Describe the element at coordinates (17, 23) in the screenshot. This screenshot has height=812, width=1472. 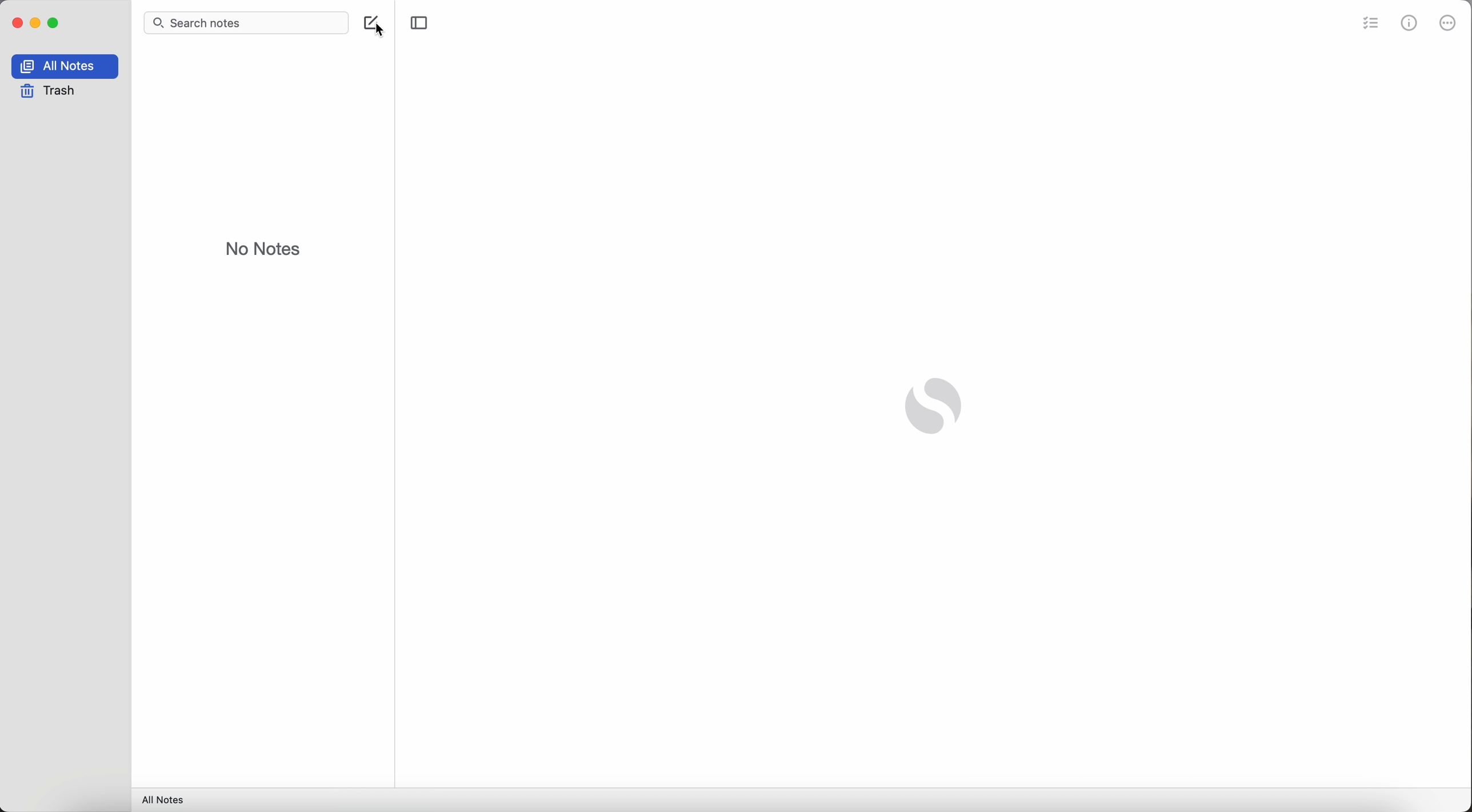
I see `close Simplenote` at that location.